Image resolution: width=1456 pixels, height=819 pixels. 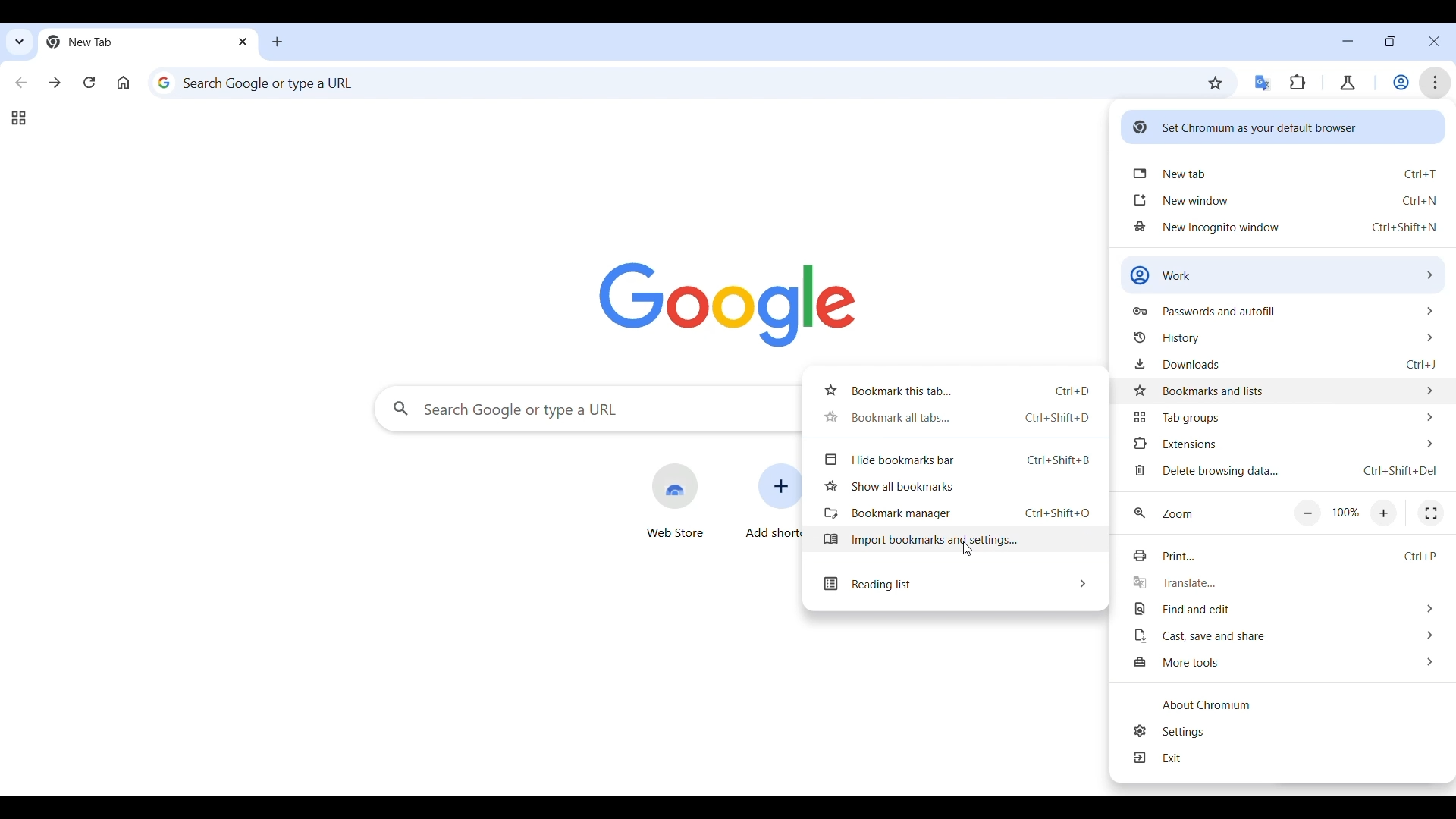 I want to click on Work, so click(x=1283, y=275).